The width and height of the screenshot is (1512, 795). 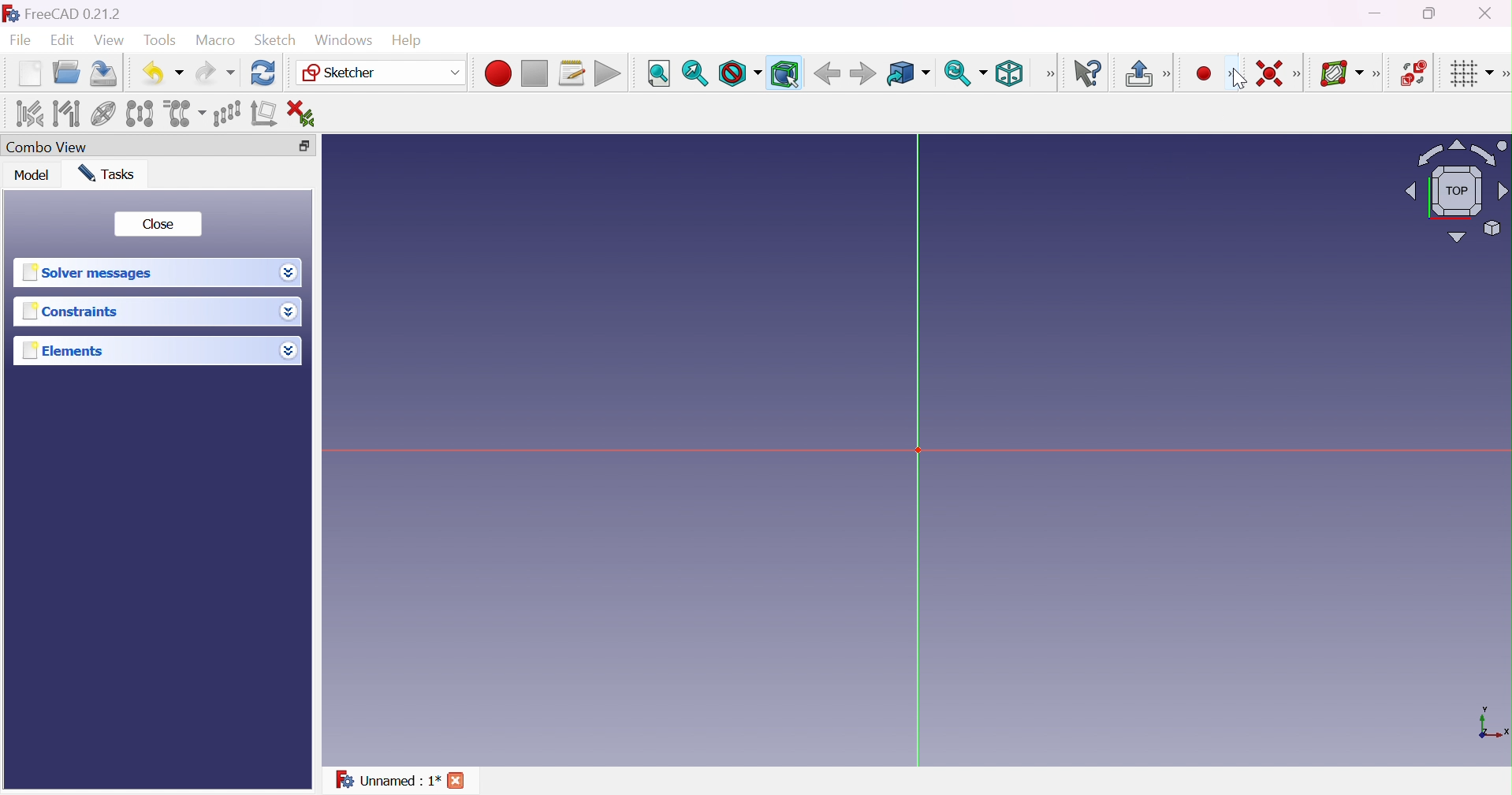 I want to click on Viewing angle, so click(x=1458, y=190).